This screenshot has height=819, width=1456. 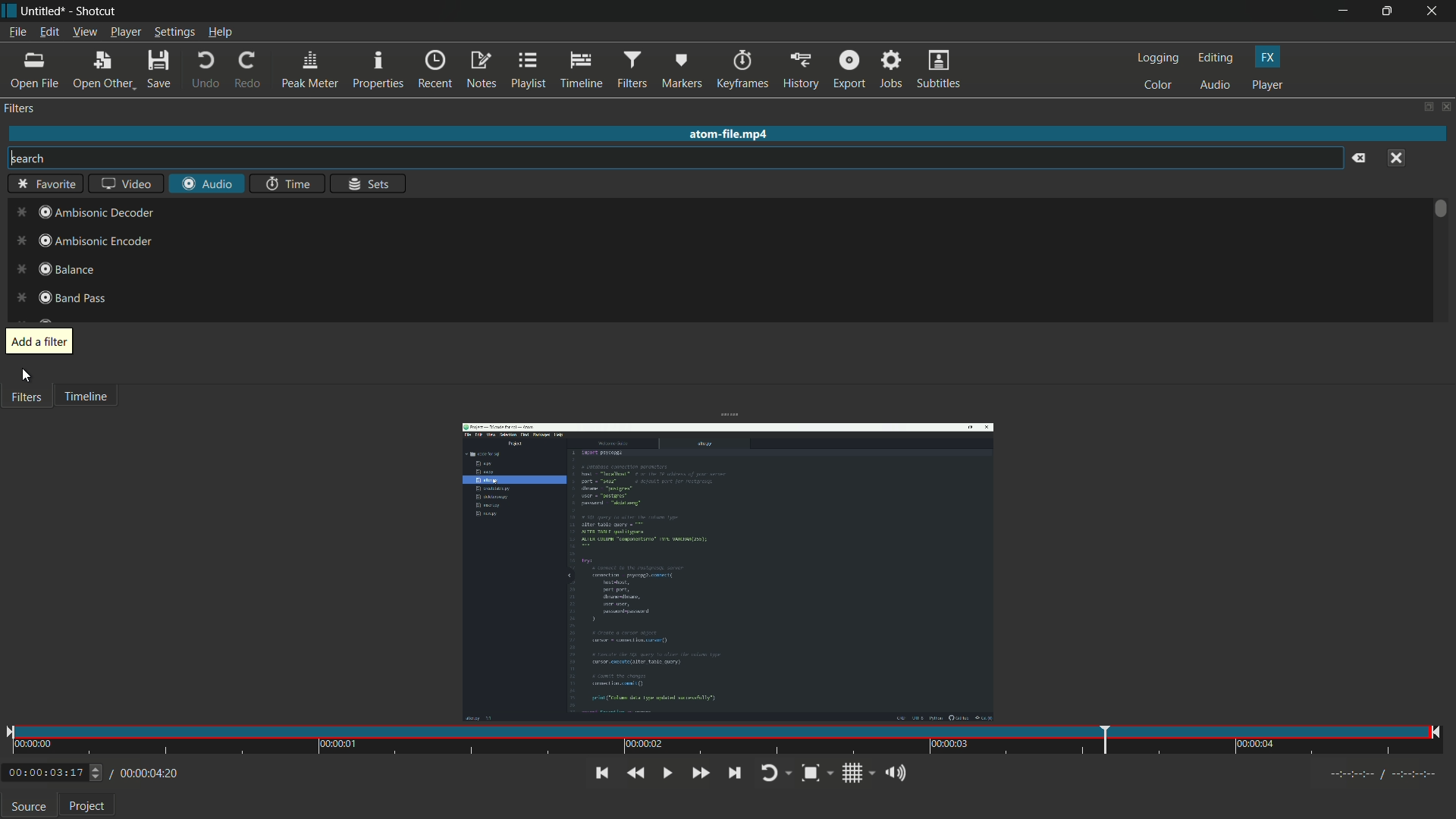 I want to click on toggle grid, so click(x=858, y=773).